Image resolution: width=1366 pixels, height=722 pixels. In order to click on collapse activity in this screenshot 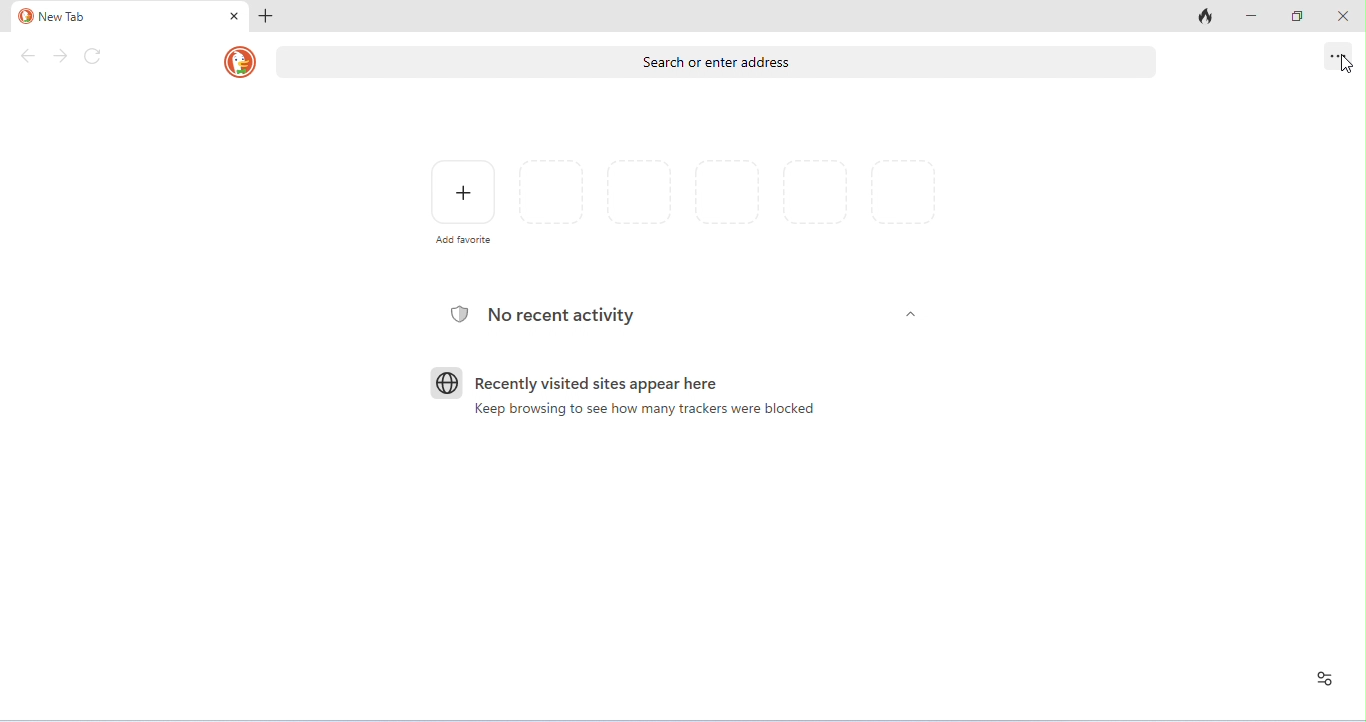, I will do `click(911, 314)`.